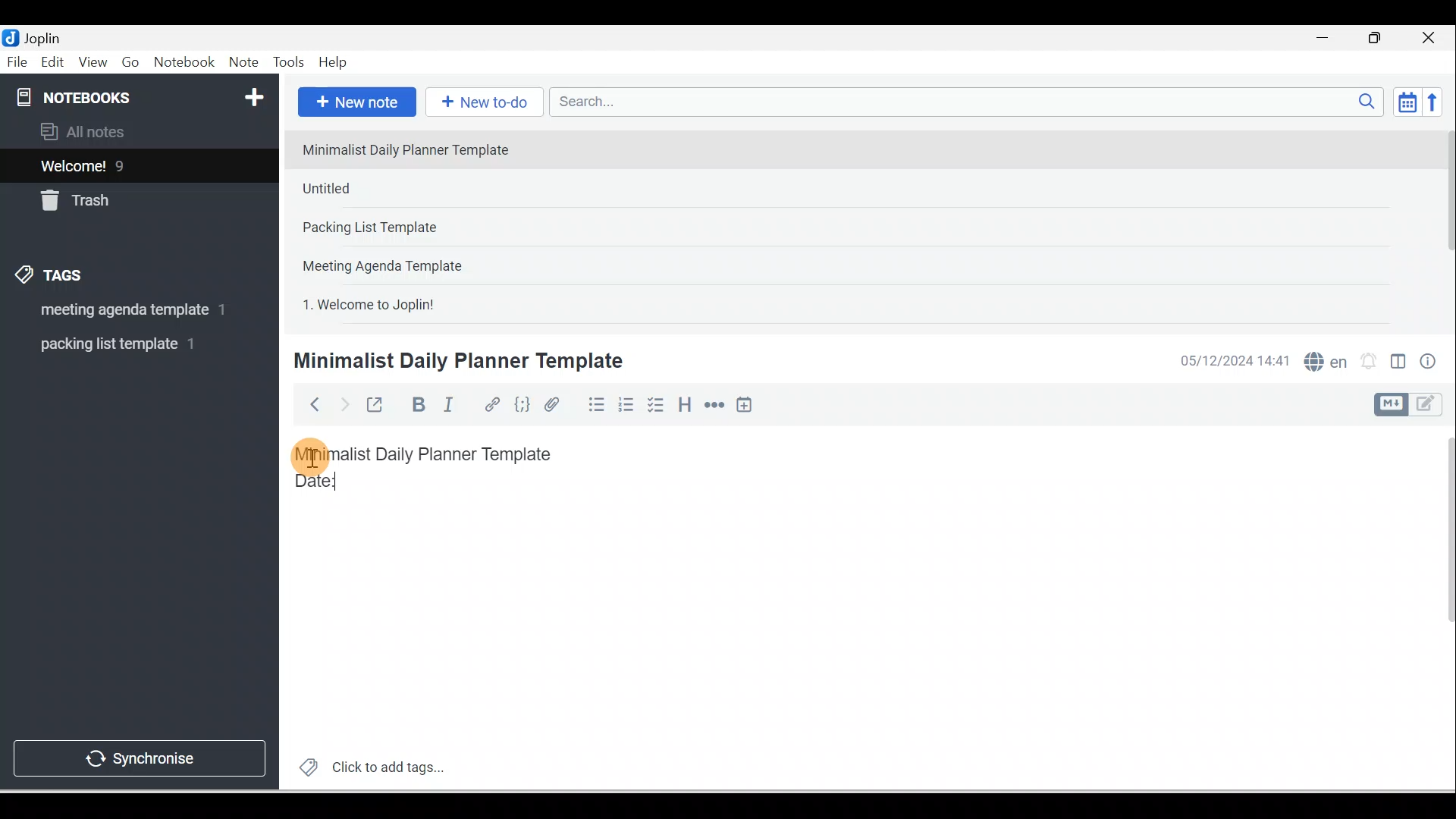  What do you see at coordinates (424, 303) in the screenshot?
I see `Note 5` at bounding box center [424, 303].